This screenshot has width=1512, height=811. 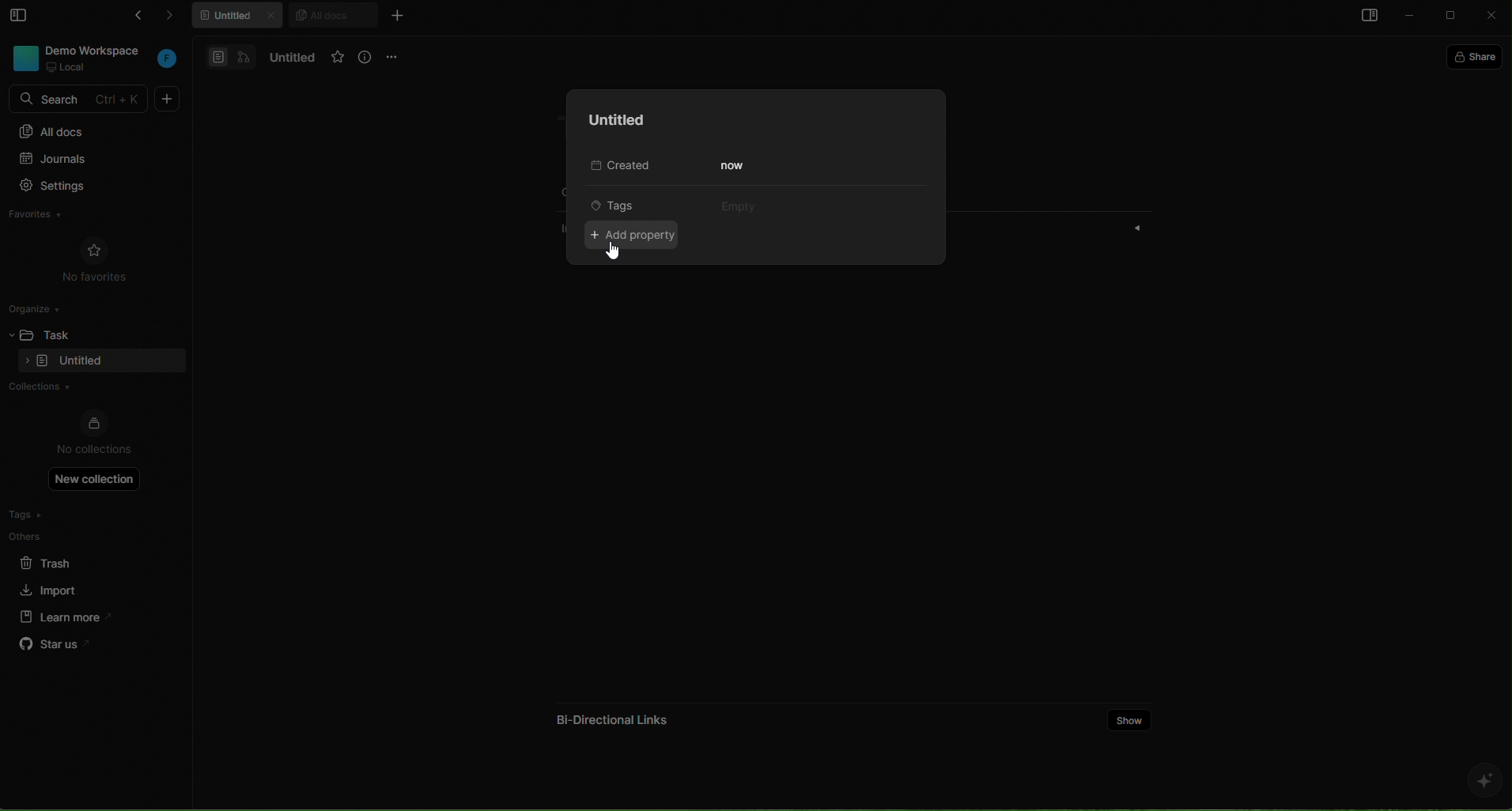 What do you see at coordinates (735, 166) in the screenshot?
I see `now` at bounding box center [735, 166].